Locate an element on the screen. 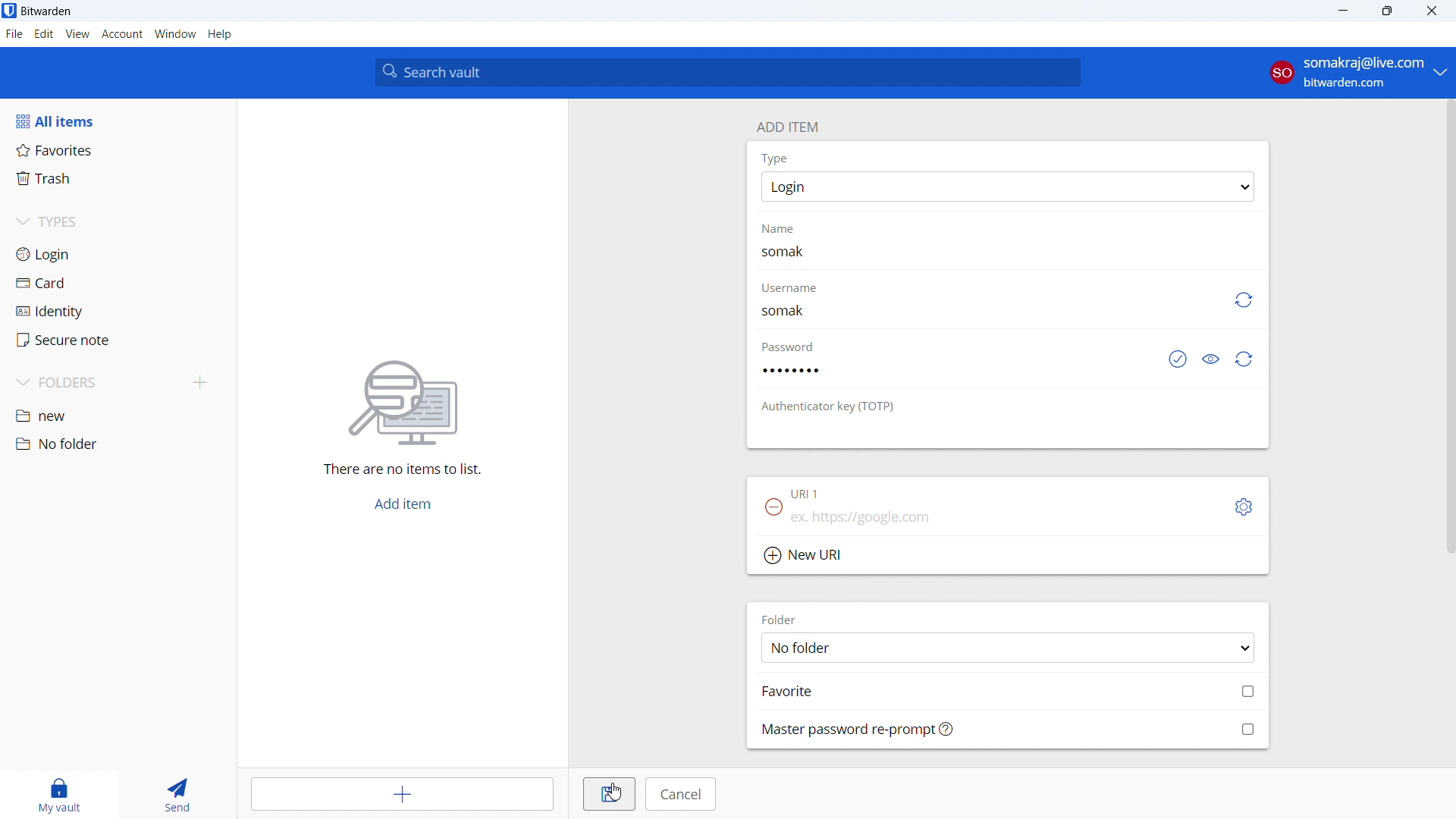 Image resolution: width=1456 pixels, height=819 pixels. login is located at coordinates (118, 254).